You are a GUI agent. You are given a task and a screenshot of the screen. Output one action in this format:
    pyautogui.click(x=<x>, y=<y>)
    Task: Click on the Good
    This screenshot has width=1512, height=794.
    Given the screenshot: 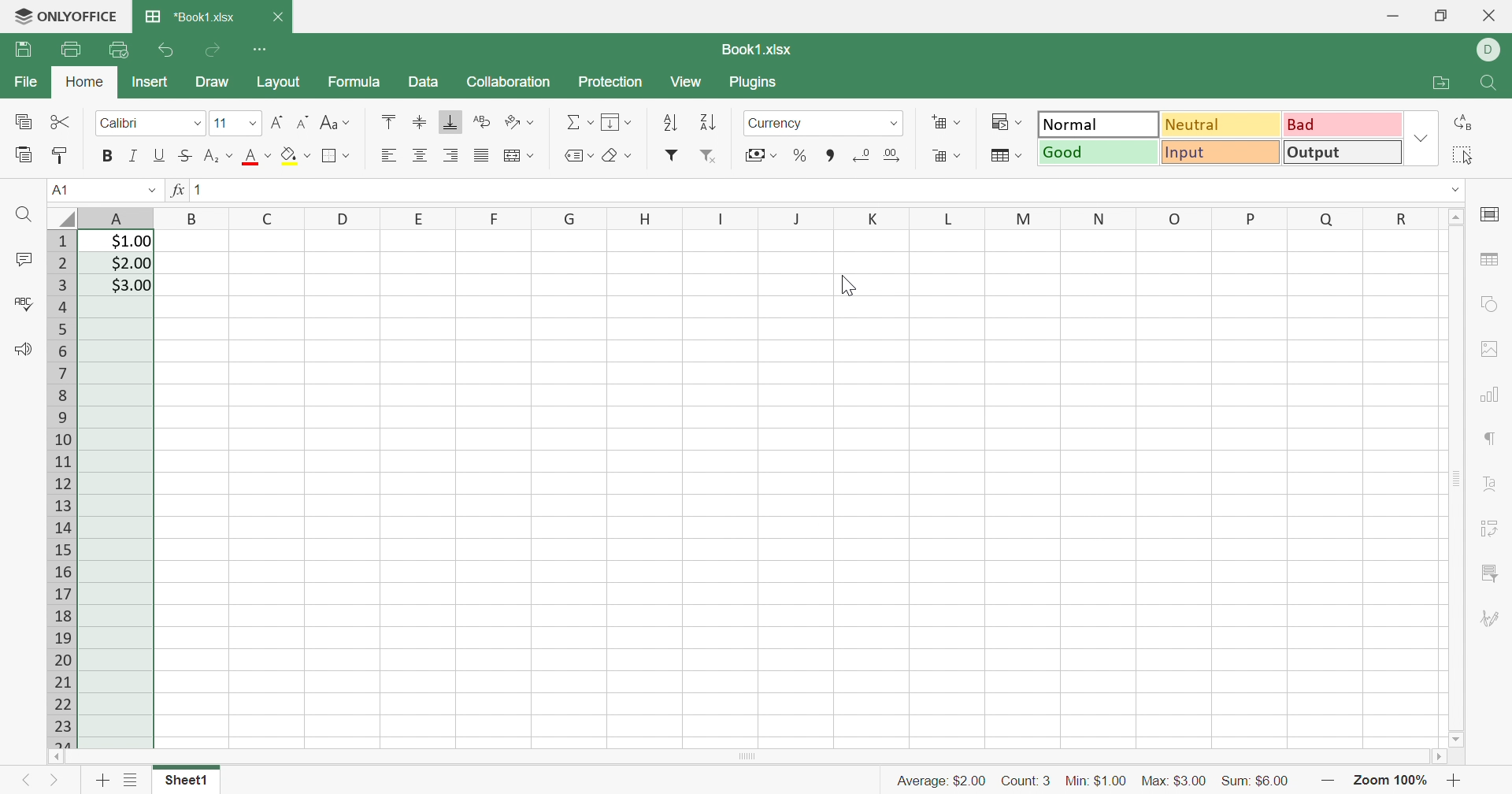 What is the action you would take?
    pyautogui.click(x=1099, y=151)
    